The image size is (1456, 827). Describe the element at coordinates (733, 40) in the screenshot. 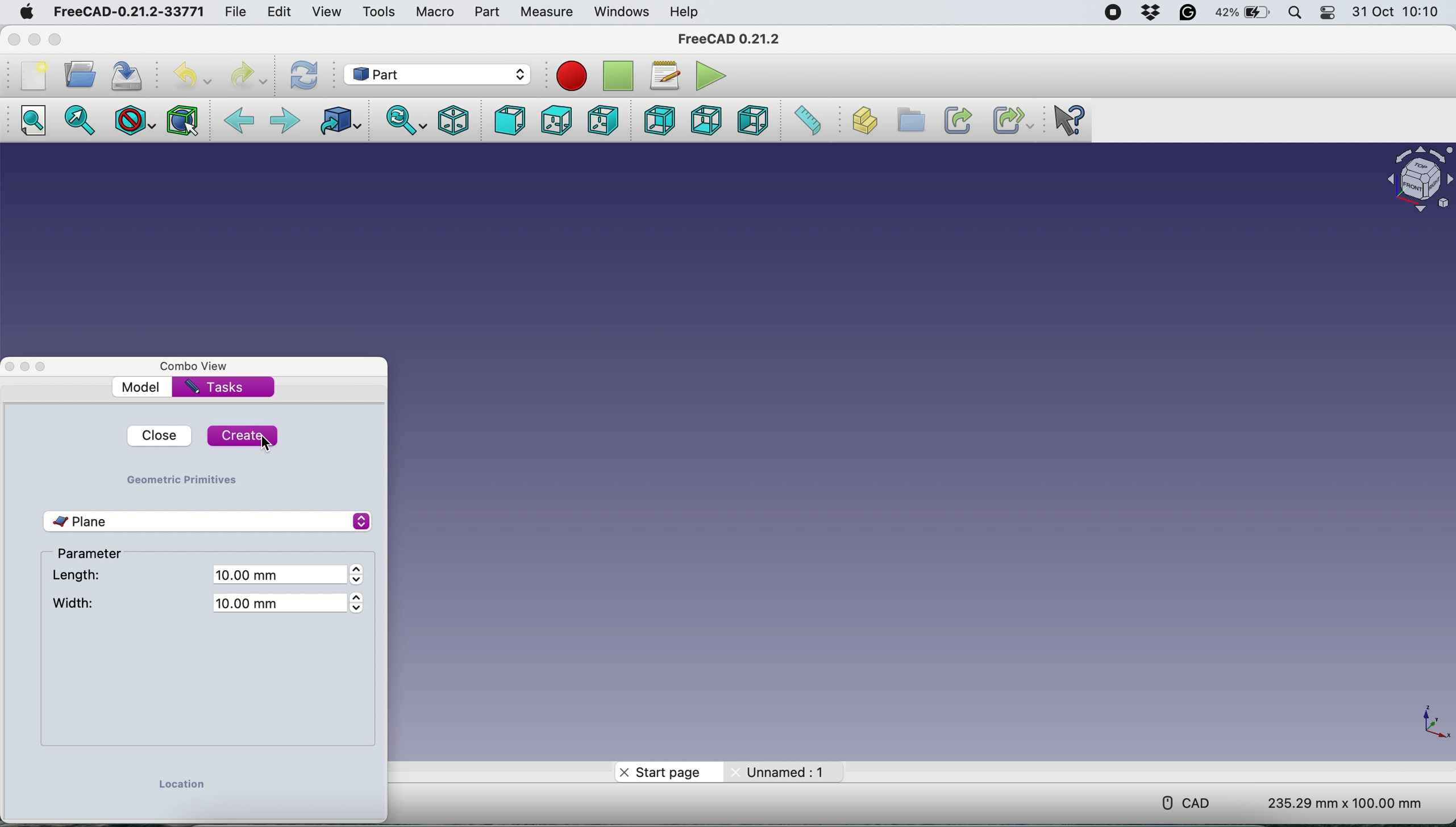

I see `FreeCAD 0.21.2` at that location.